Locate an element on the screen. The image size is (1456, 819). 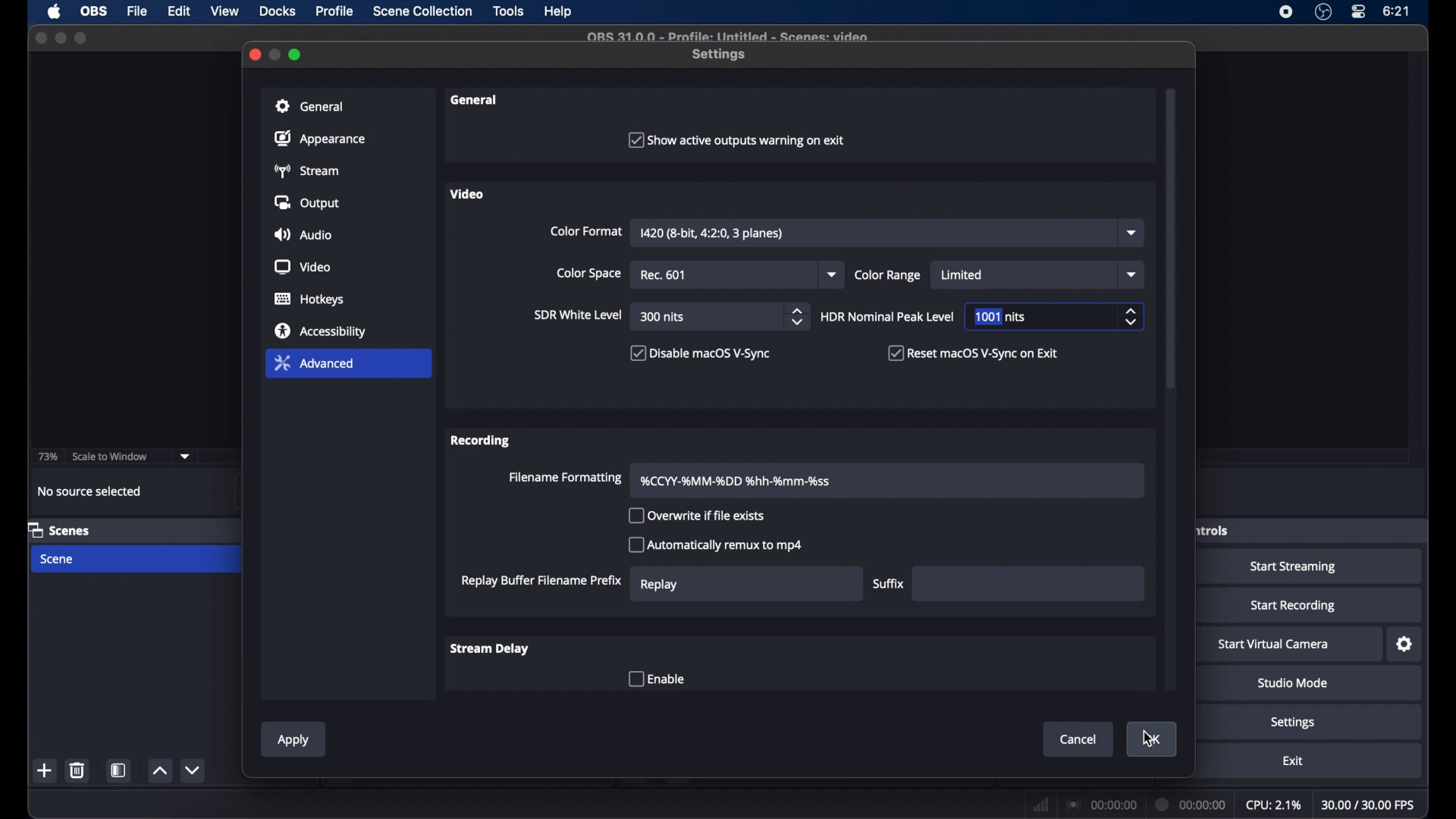
exit is located at coordinates (1292, 761).